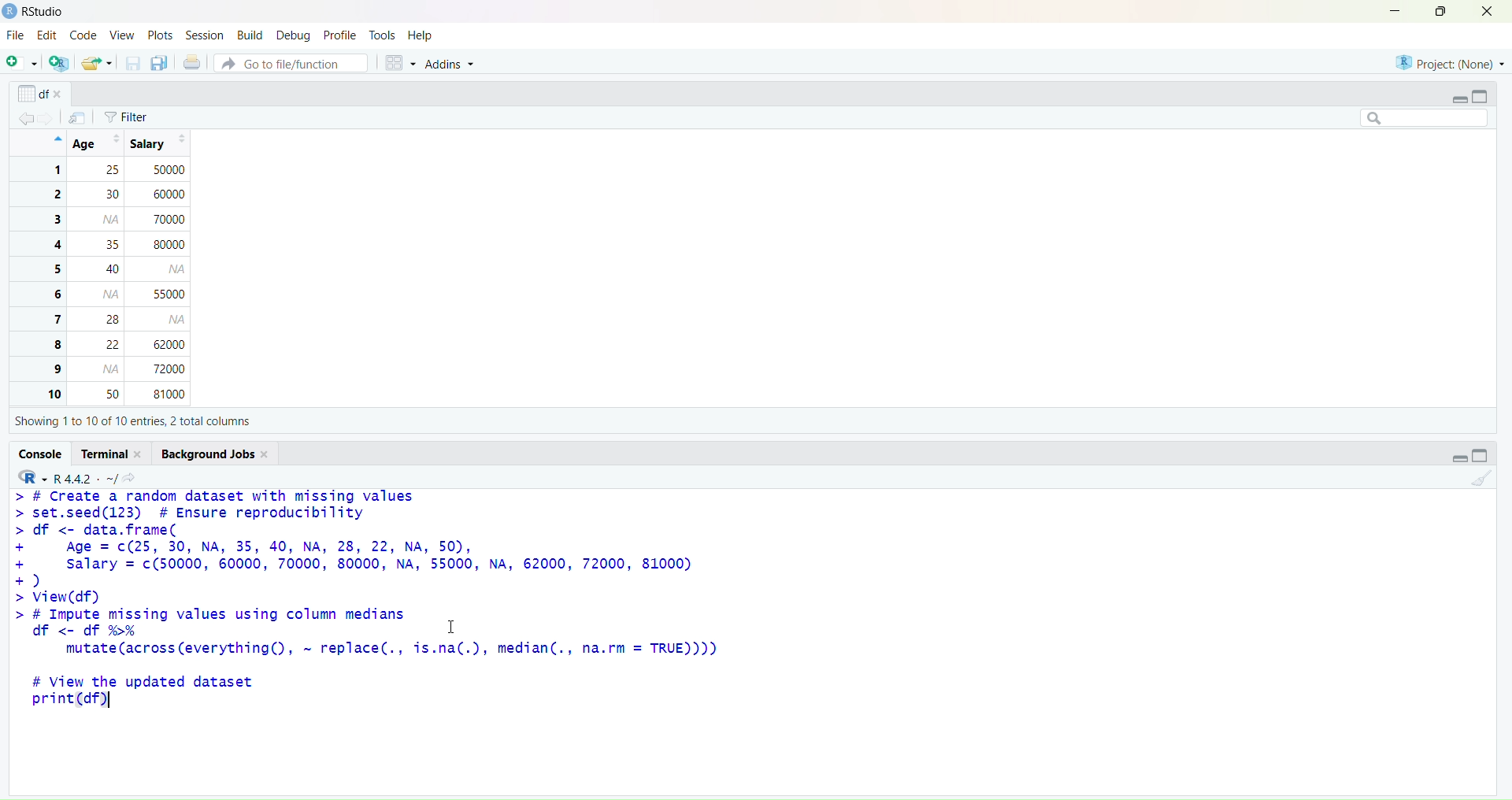  What do you see at coordinates (193, 64) in the screenshot?
I see `print the current file` at bounding box center [193, 64].